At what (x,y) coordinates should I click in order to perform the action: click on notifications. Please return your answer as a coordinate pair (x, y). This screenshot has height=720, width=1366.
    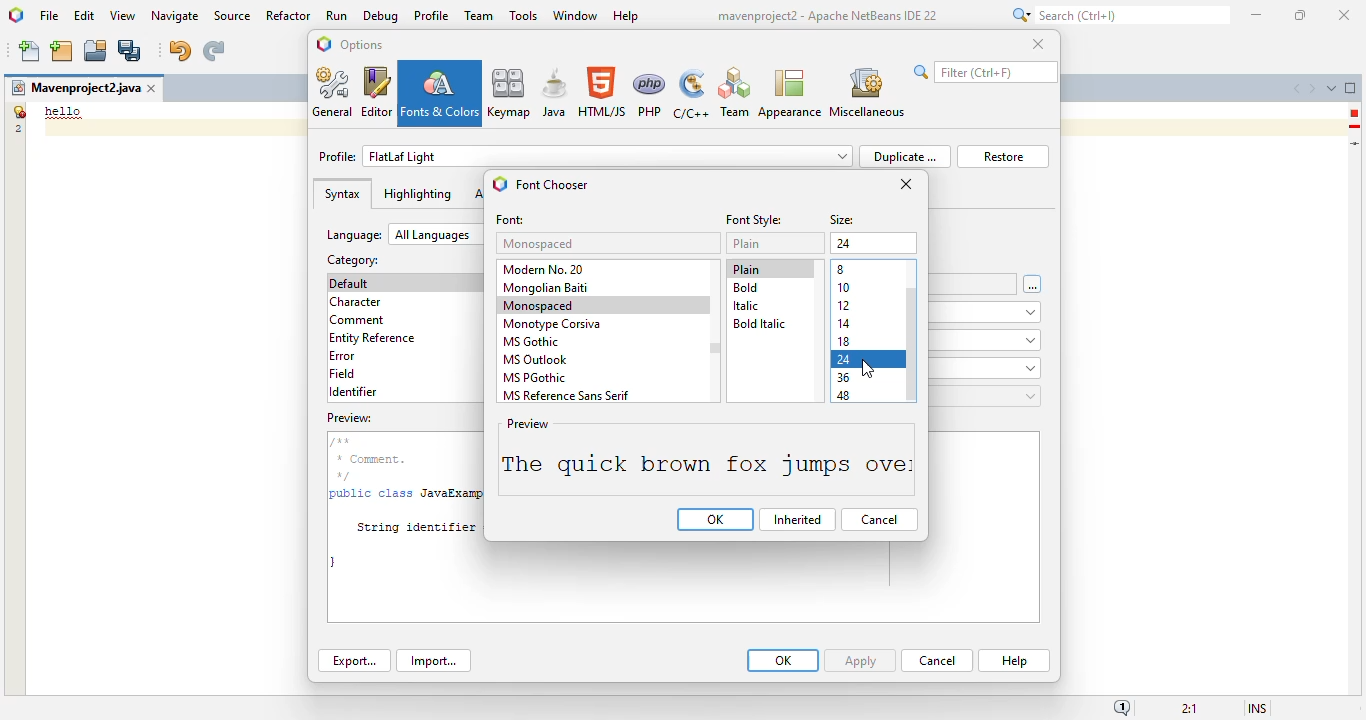
    Looking at the image, I should click on (1122, 707).